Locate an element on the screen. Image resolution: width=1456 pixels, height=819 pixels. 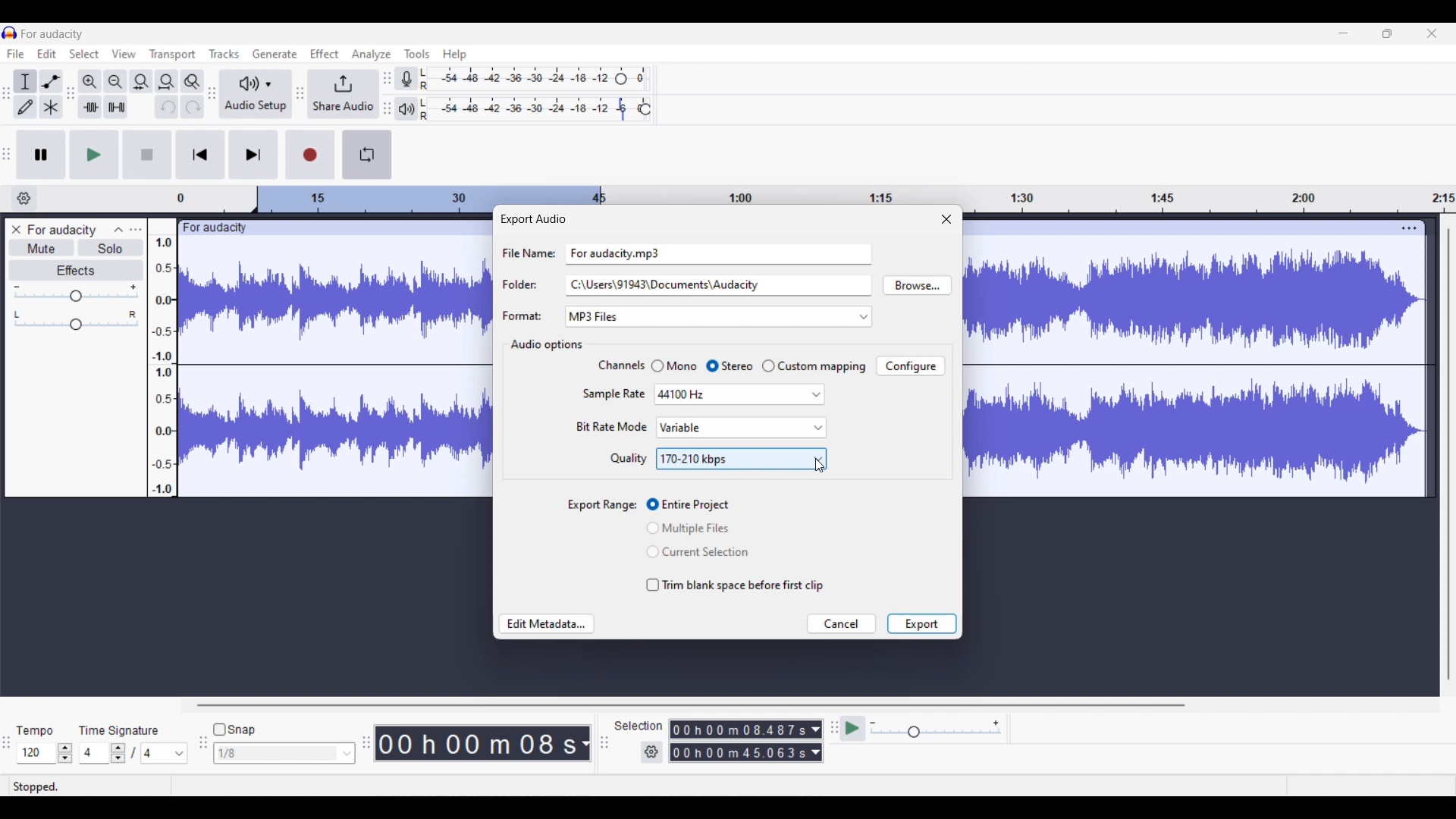
Format options to choose from is located at coordinates (748, 317).